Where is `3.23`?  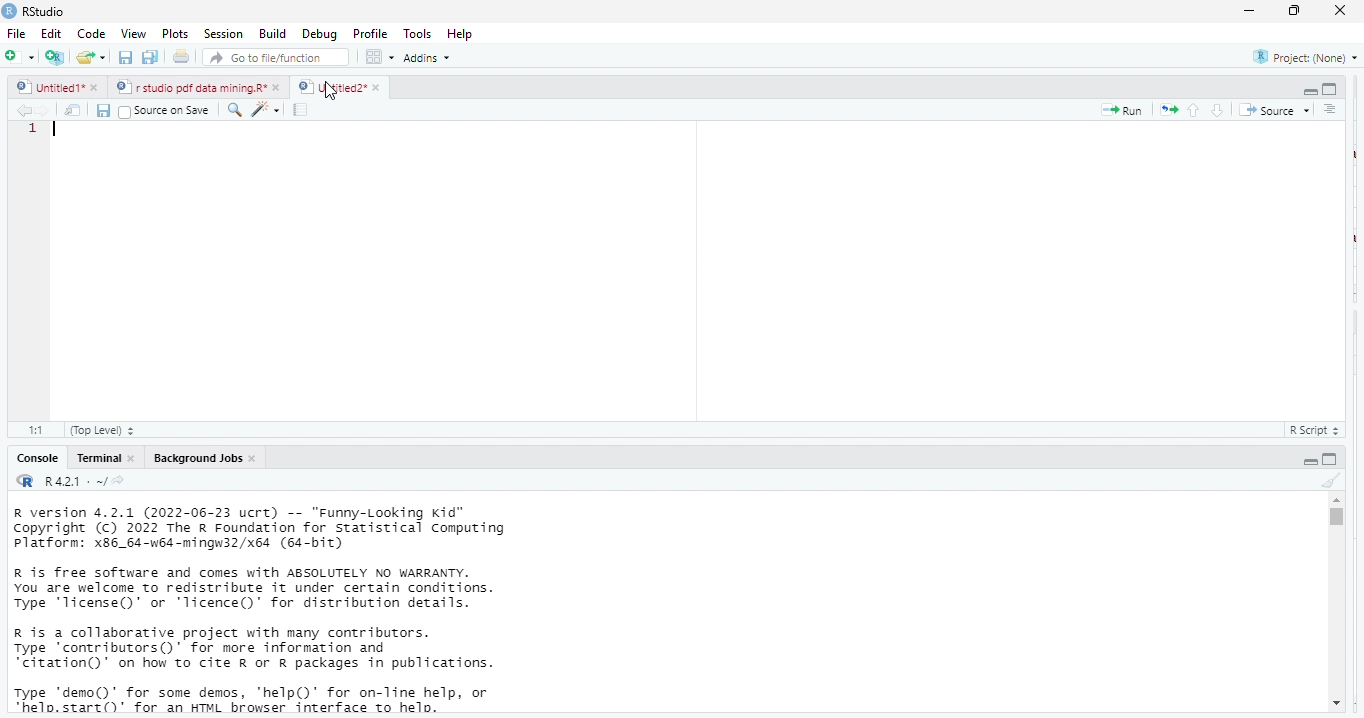 3.23 is located at coordinates (35, 428).